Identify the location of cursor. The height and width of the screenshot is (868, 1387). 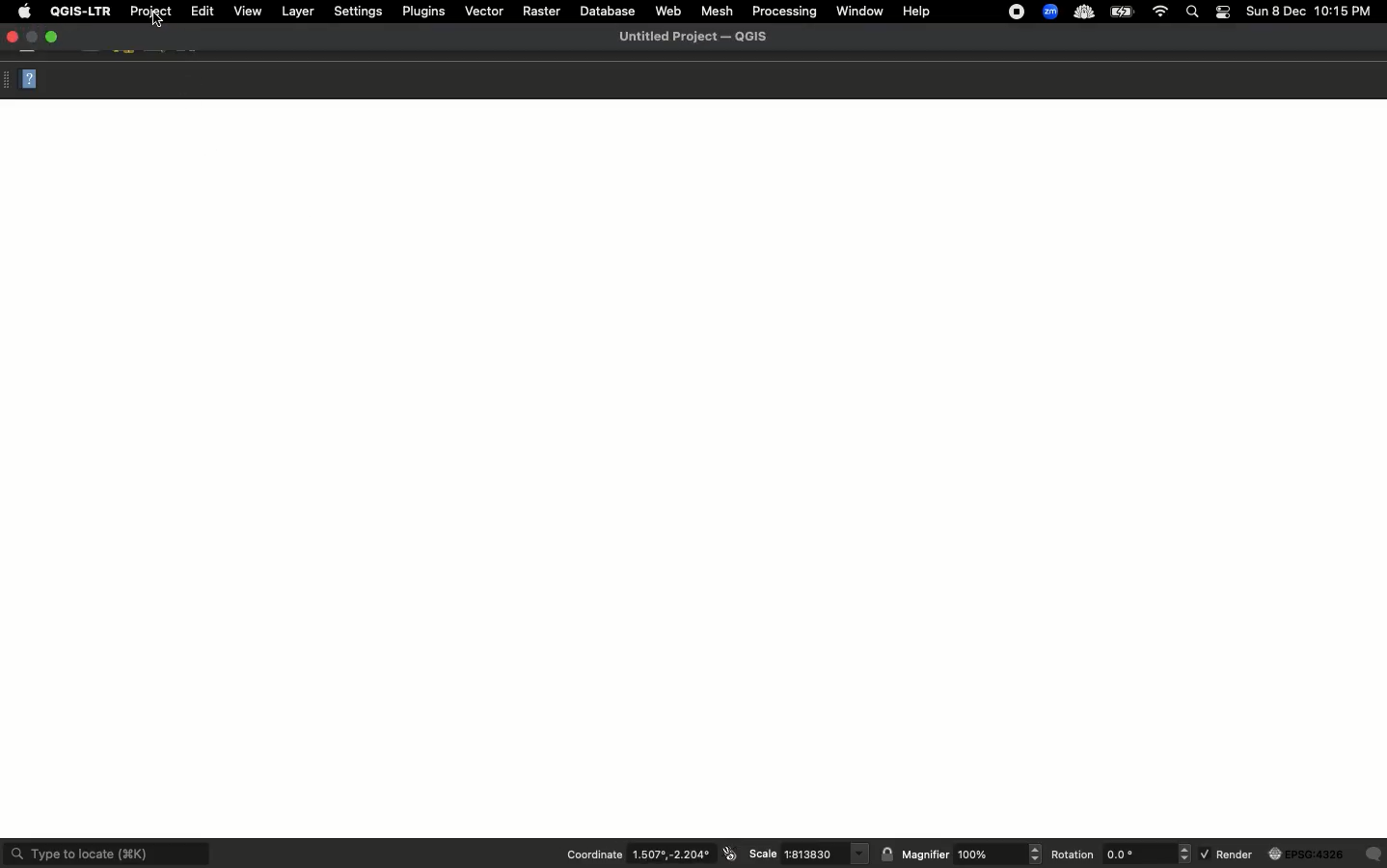
(156, 22).